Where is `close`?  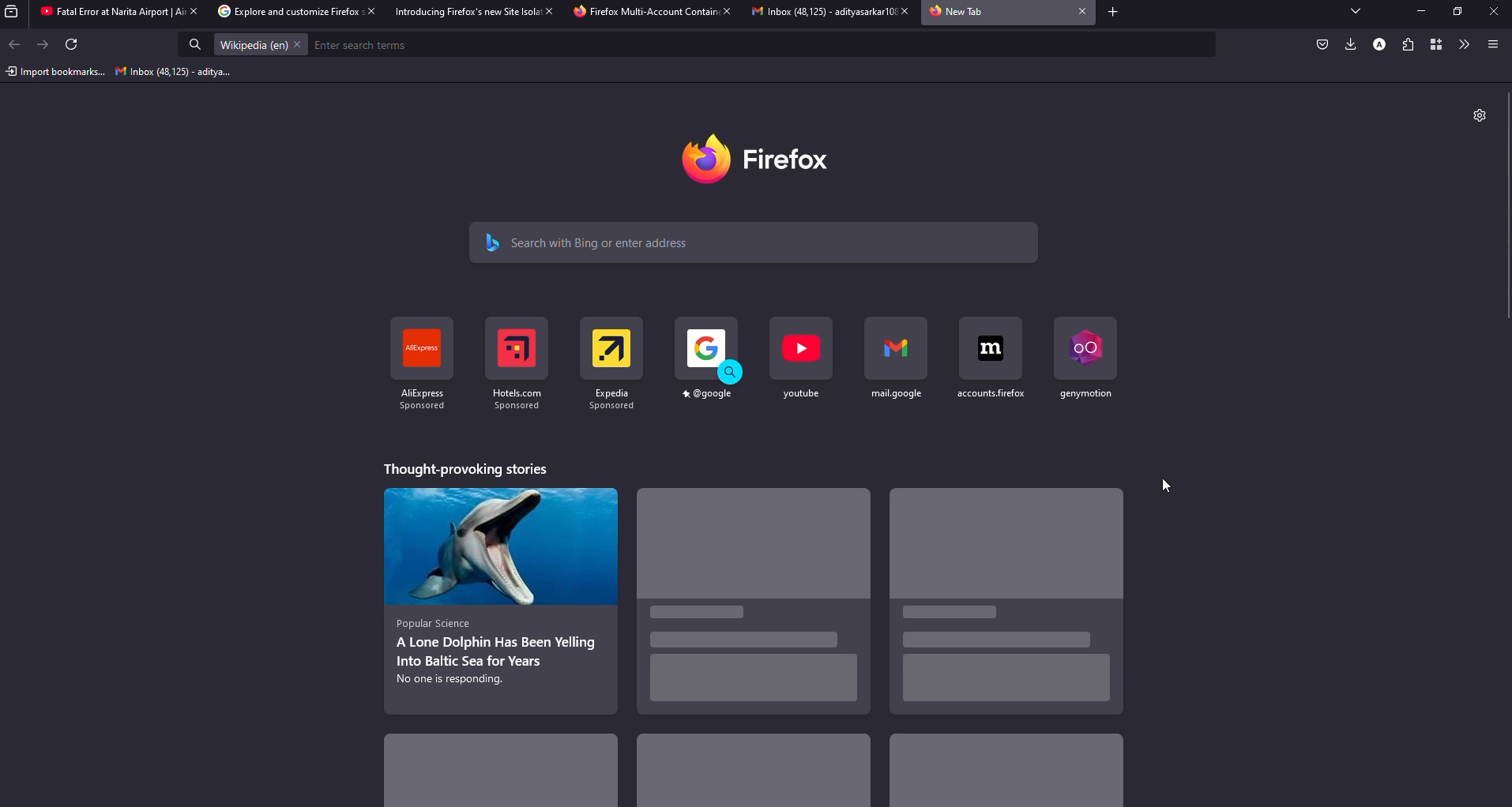
close is located at coordinates (1078, 12).